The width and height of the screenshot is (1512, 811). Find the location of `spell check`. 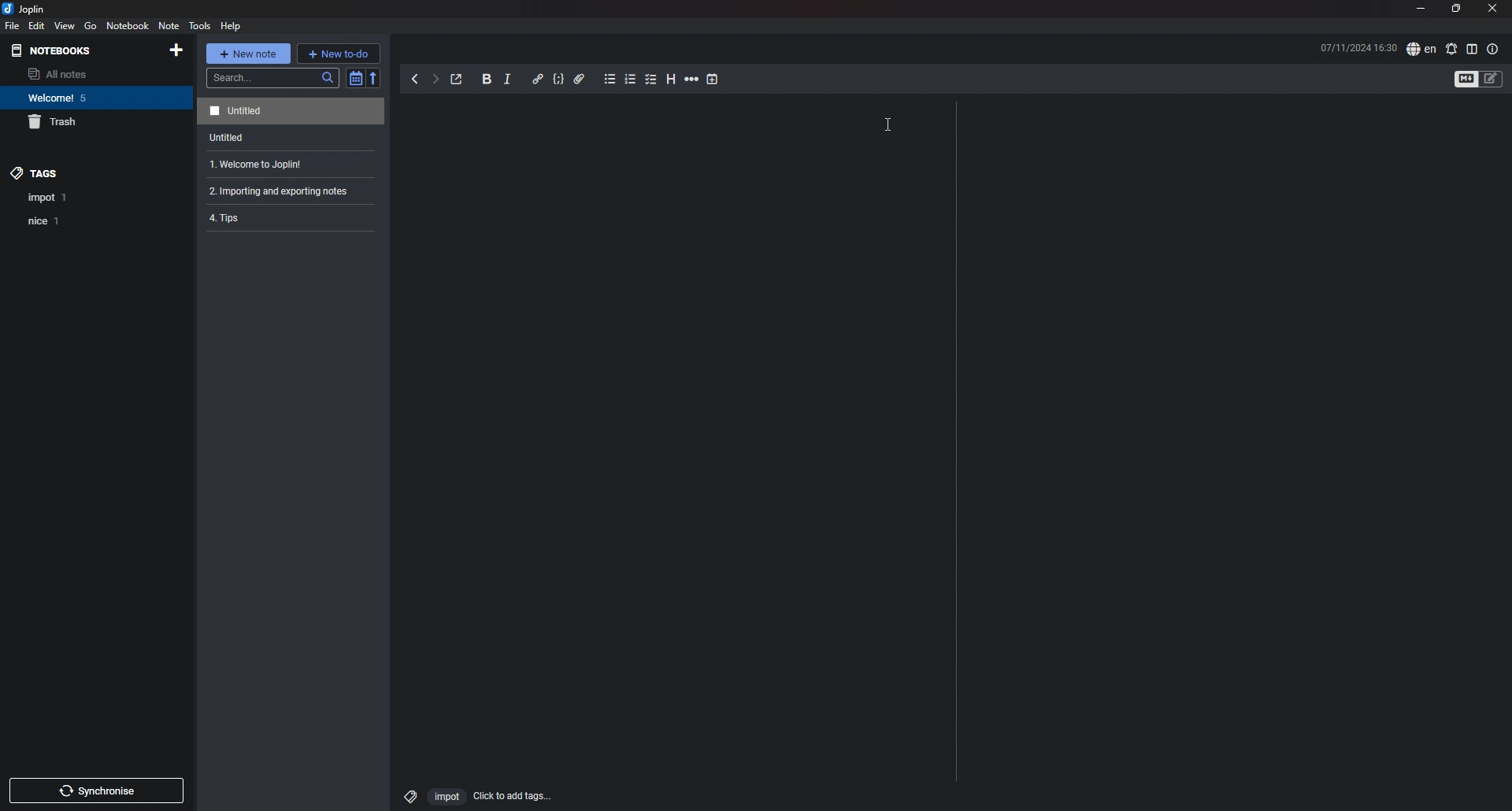

spell check is located at coordinates (1421, 50).